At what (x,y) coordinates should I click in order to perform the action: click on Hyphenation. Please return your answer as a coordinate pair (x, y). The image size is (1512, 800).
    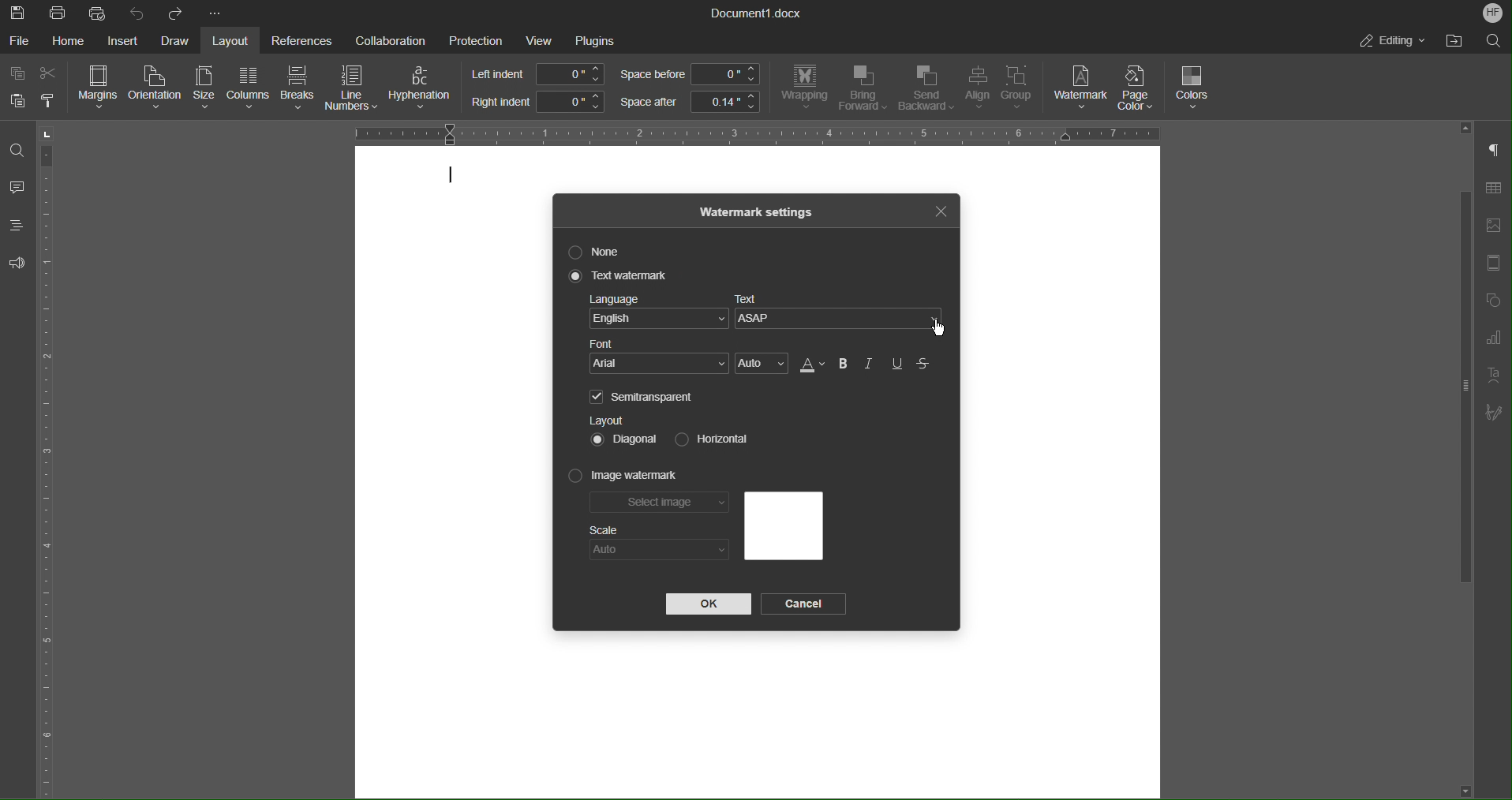
    Looking at the image, I should click on (423, 88).